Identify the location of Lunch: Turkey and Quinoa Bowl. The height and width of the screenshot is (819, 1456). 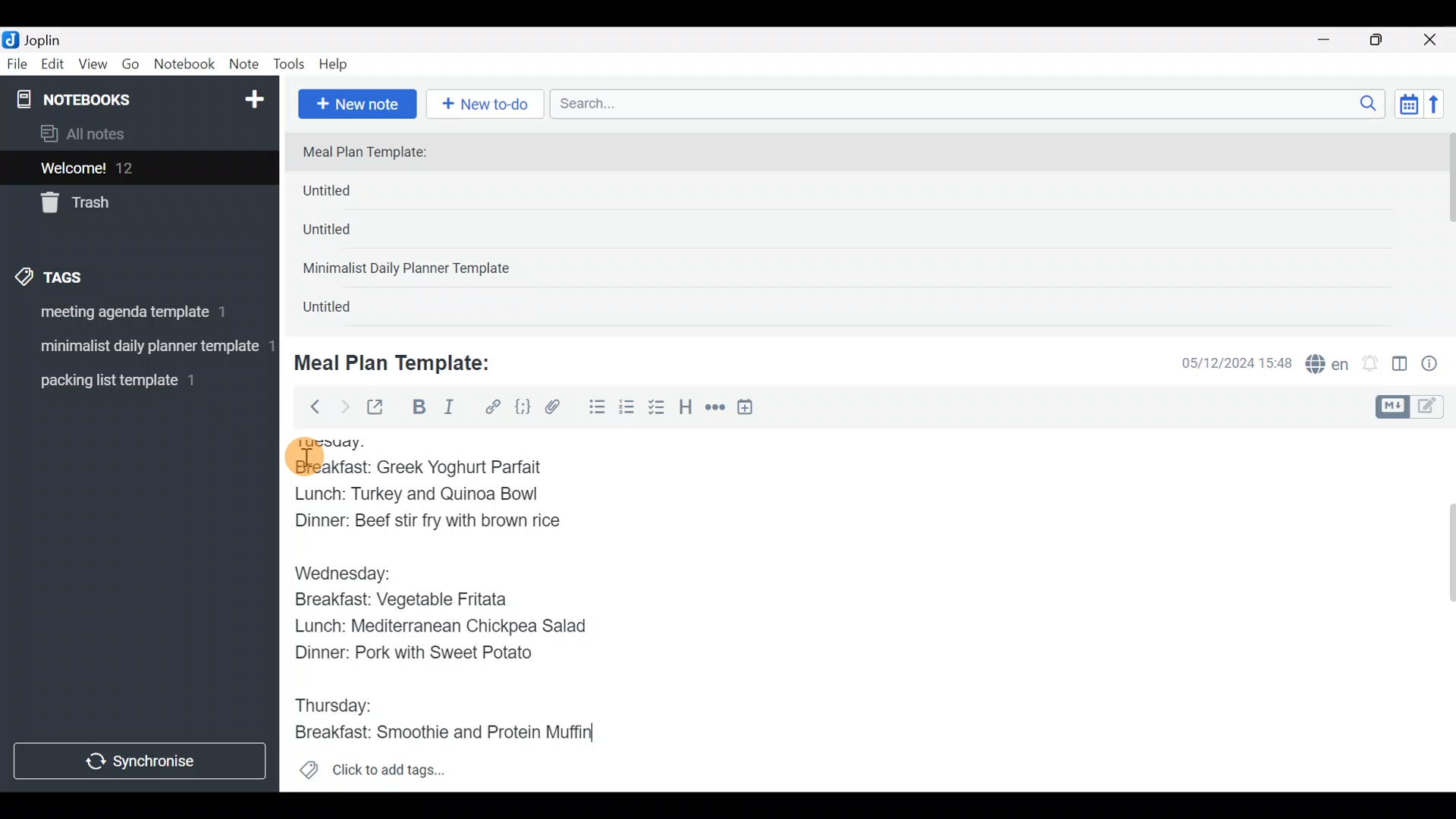
(417, 497).